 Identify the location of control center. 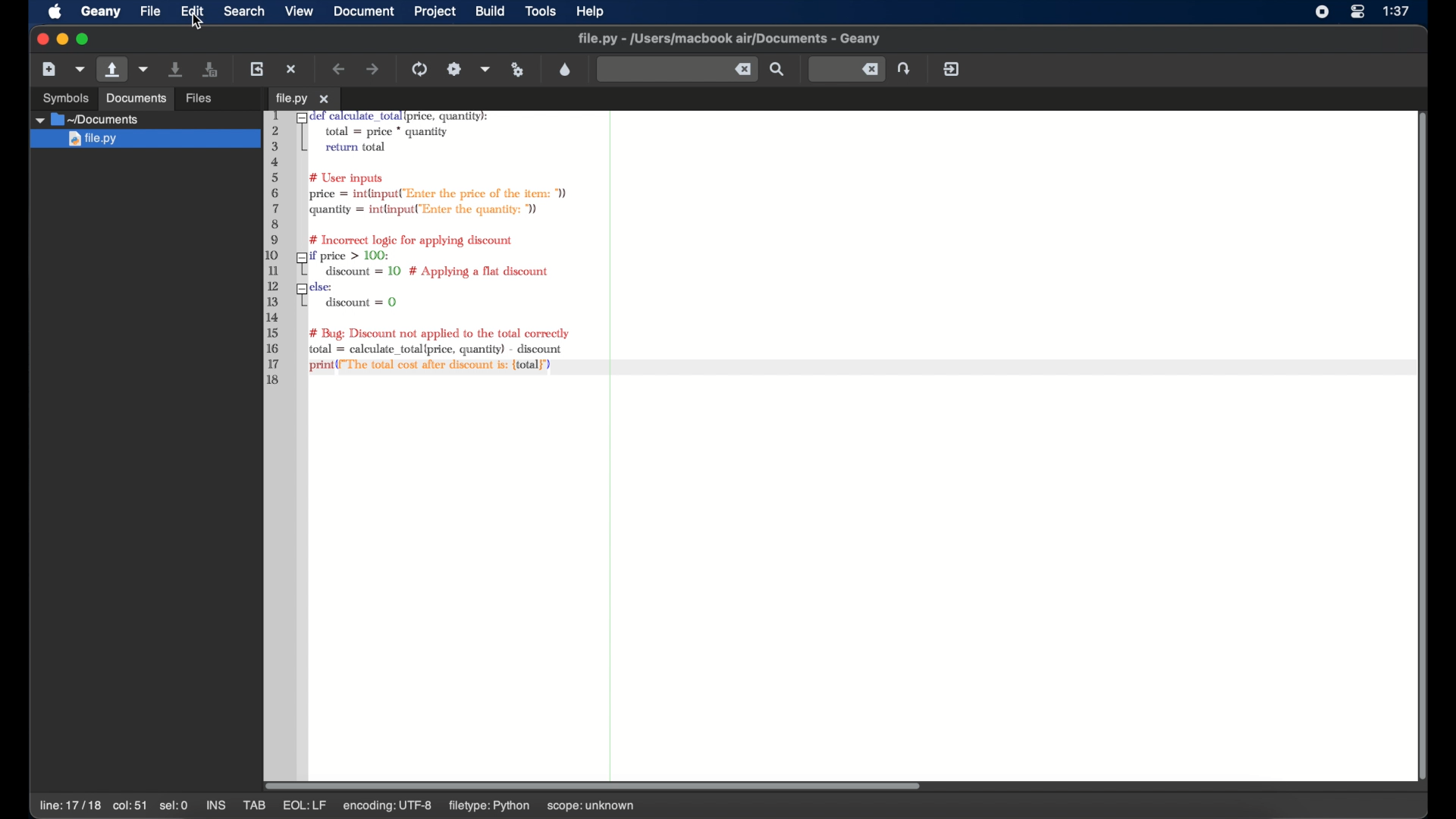
(1357, 12).